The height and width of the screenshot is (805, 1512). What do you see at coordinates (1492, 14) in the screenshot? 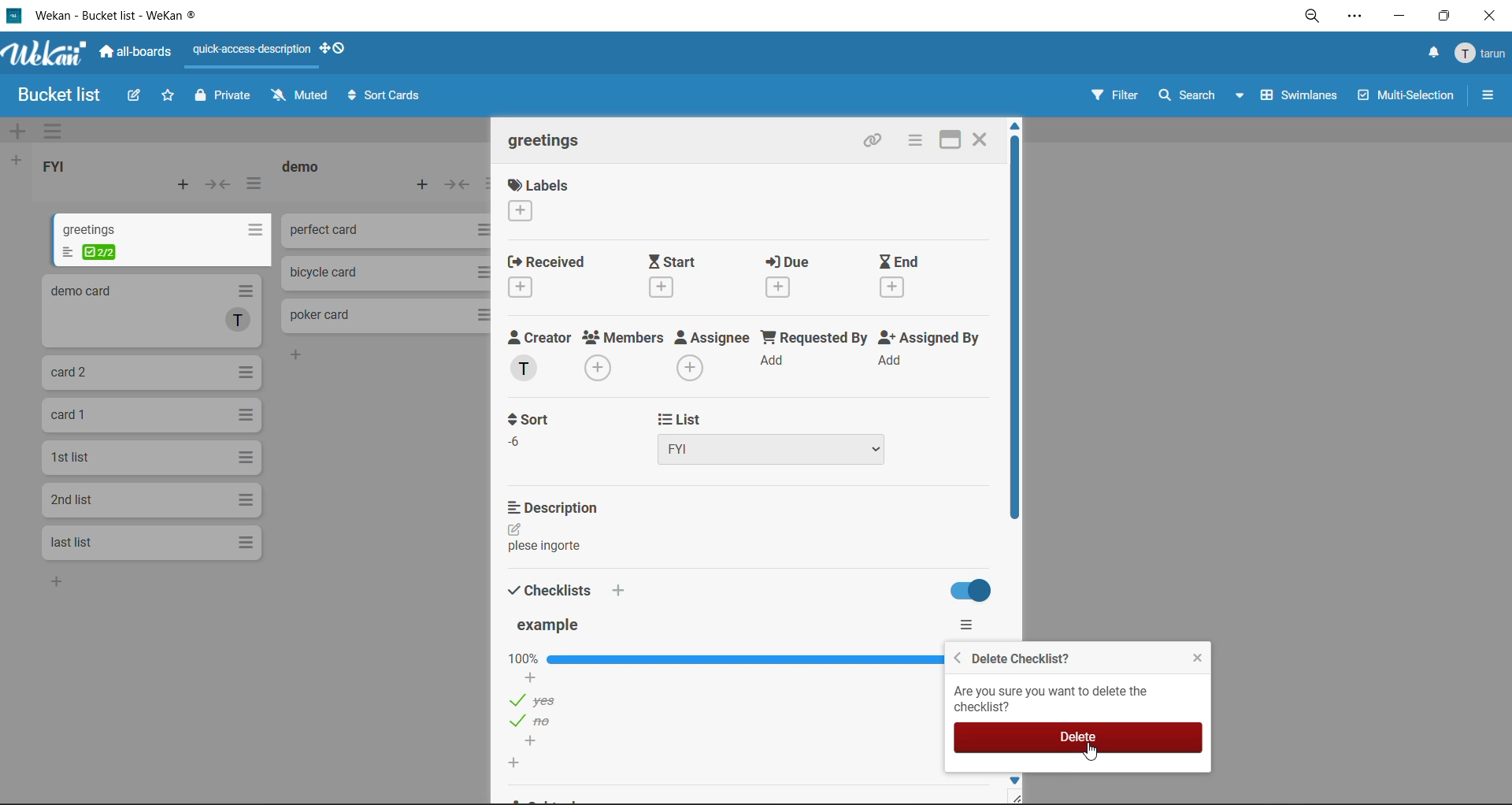
I see `close` at bounding box center [1492, 14].